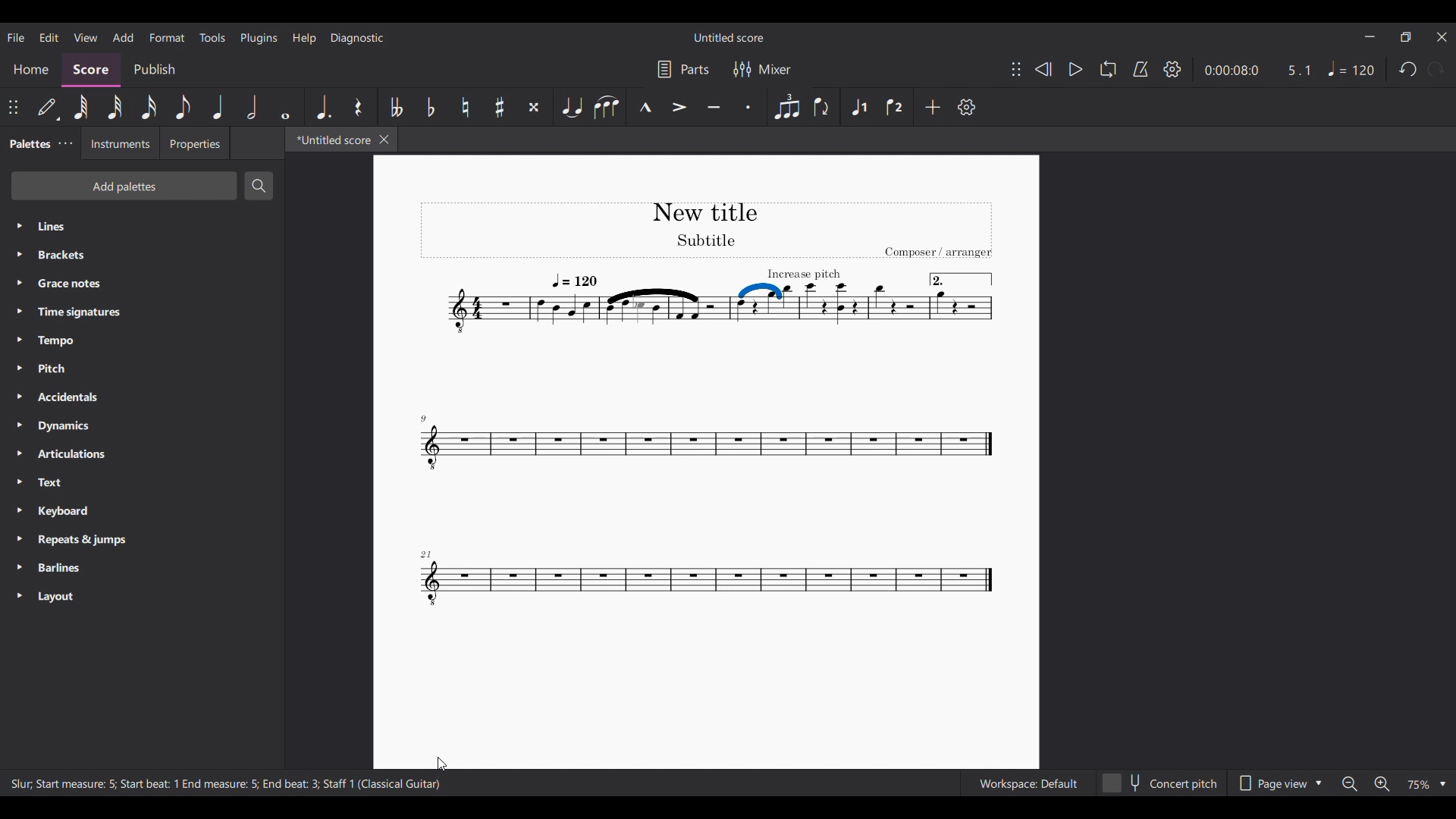 The height and width of the screenshot is (819, 1456). I want to click on Marcato, so click(644, 107).